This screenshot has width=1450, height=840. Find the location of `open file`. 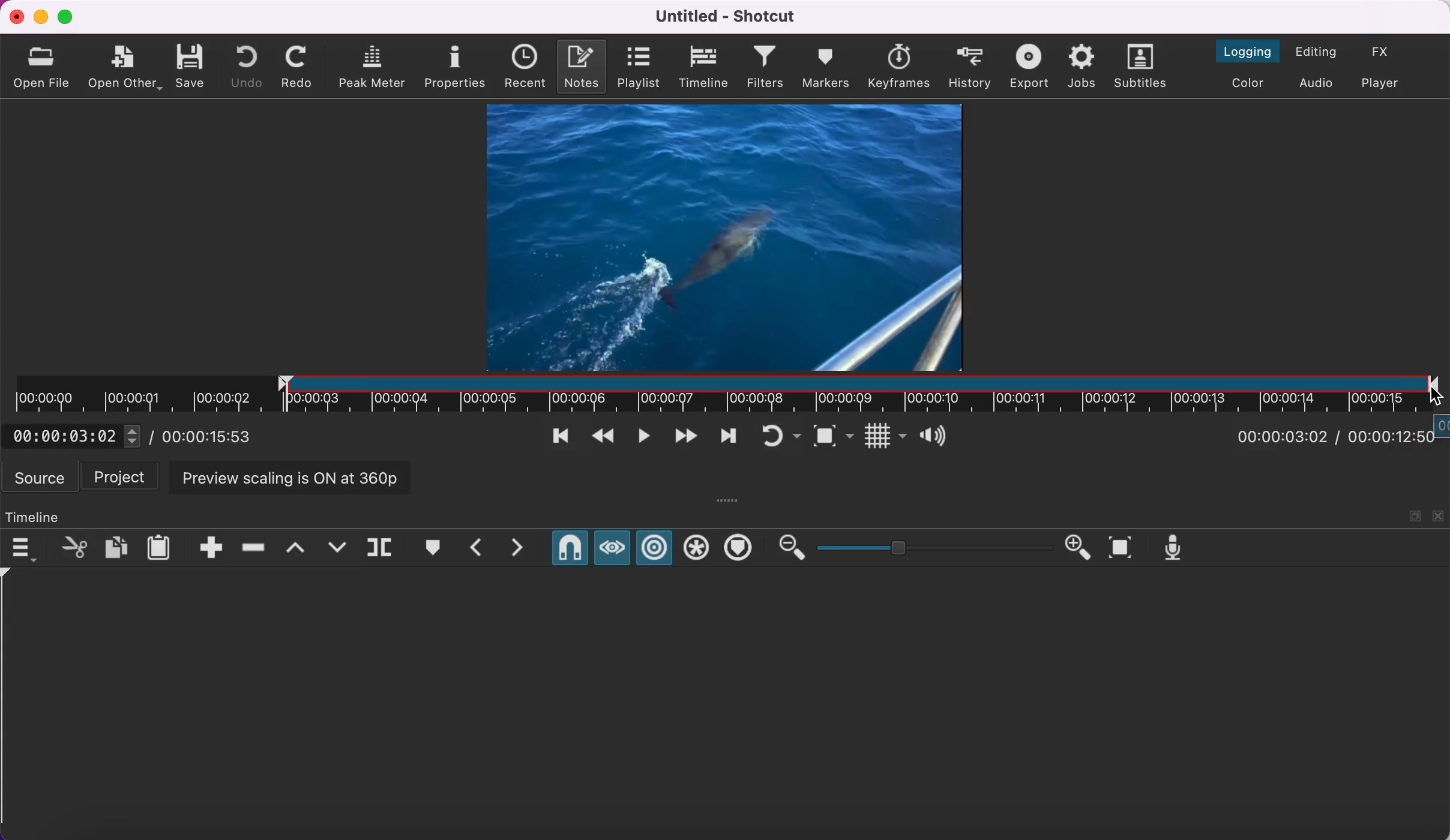

open file is located at coordinates (44, 64).